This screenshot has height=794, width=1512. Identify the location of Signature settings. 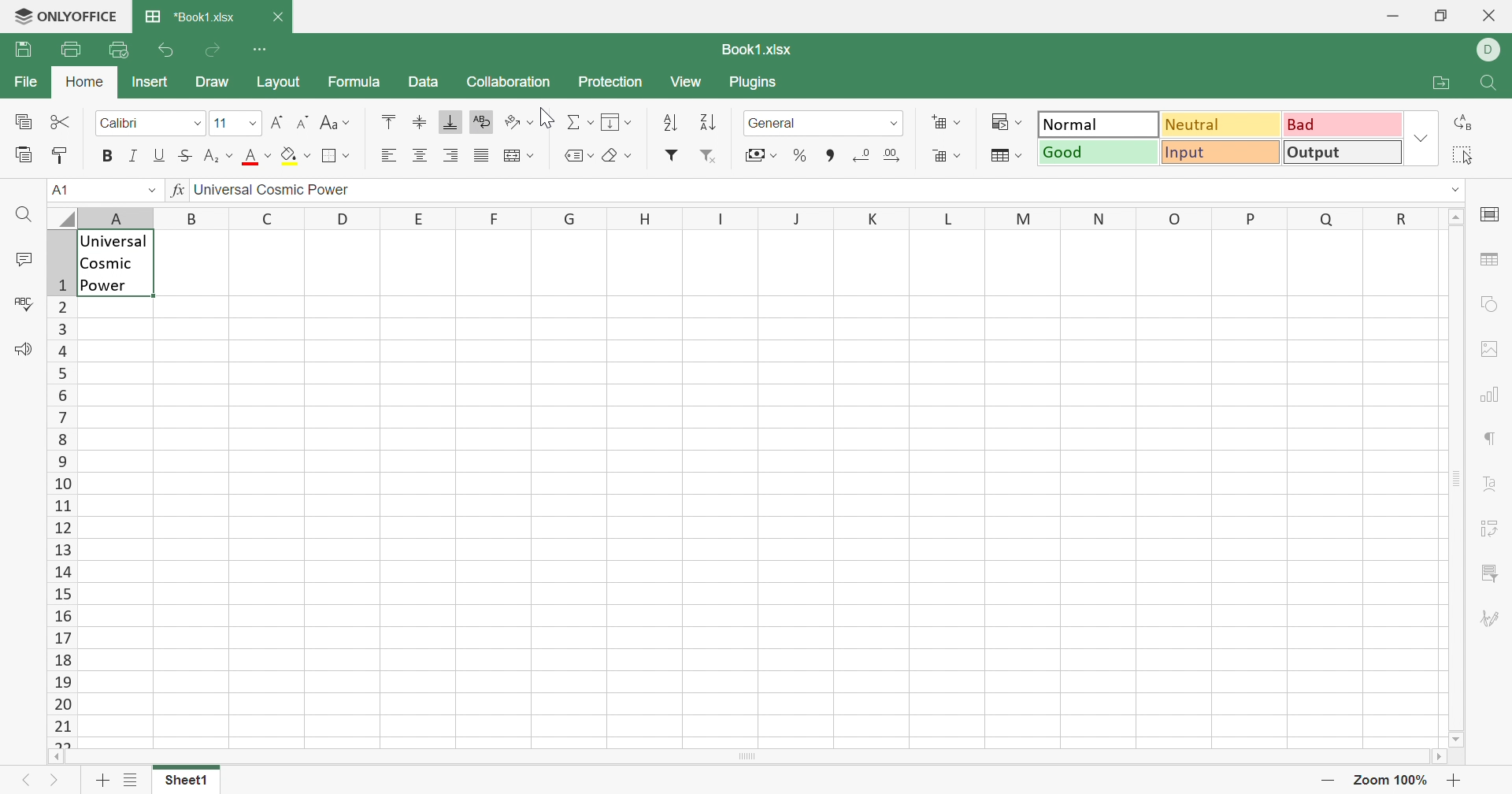
(1494, 618).